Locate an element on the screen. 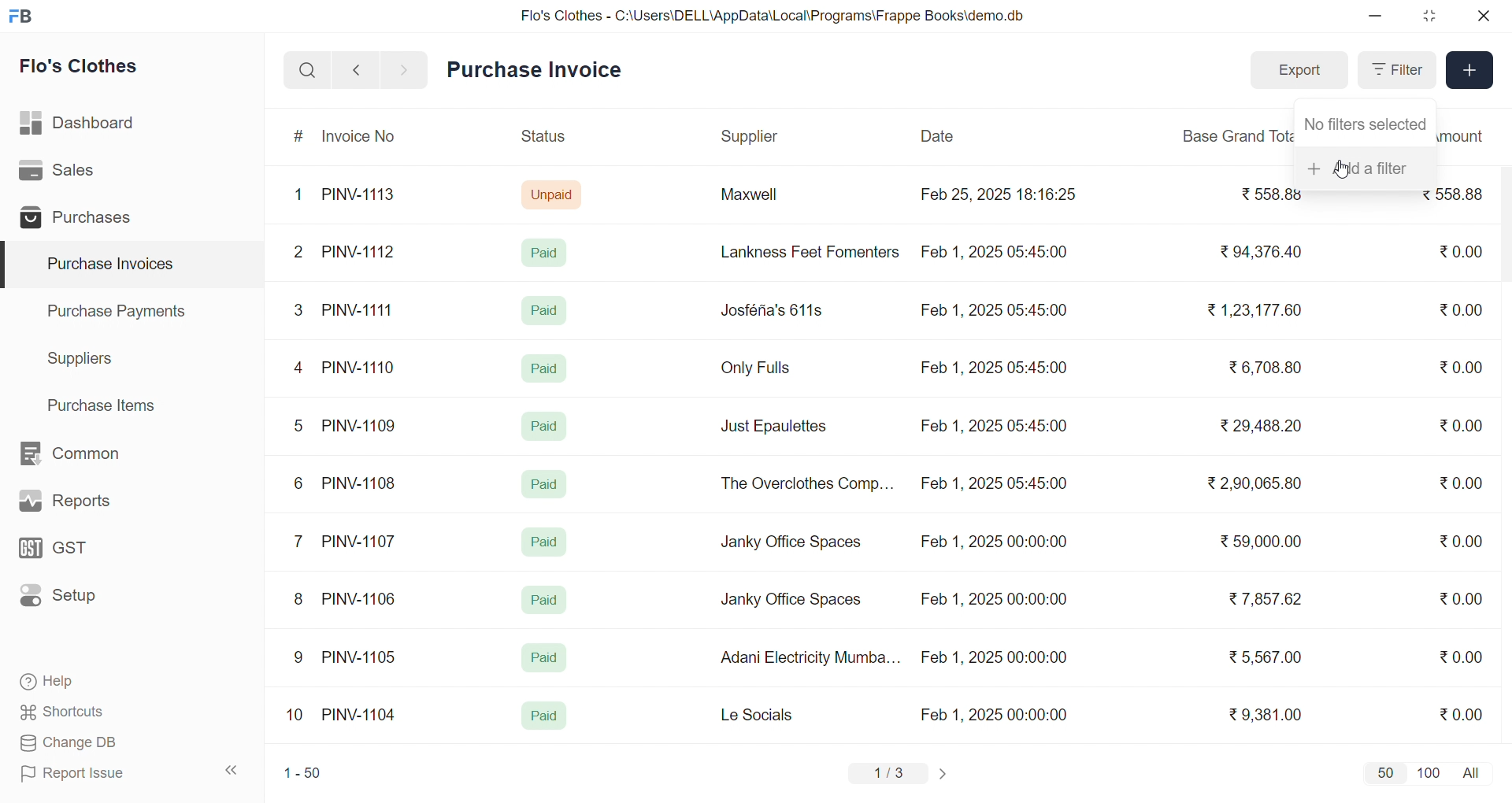  ₹ 5,567.00 is located at coordinates (1262, 657).